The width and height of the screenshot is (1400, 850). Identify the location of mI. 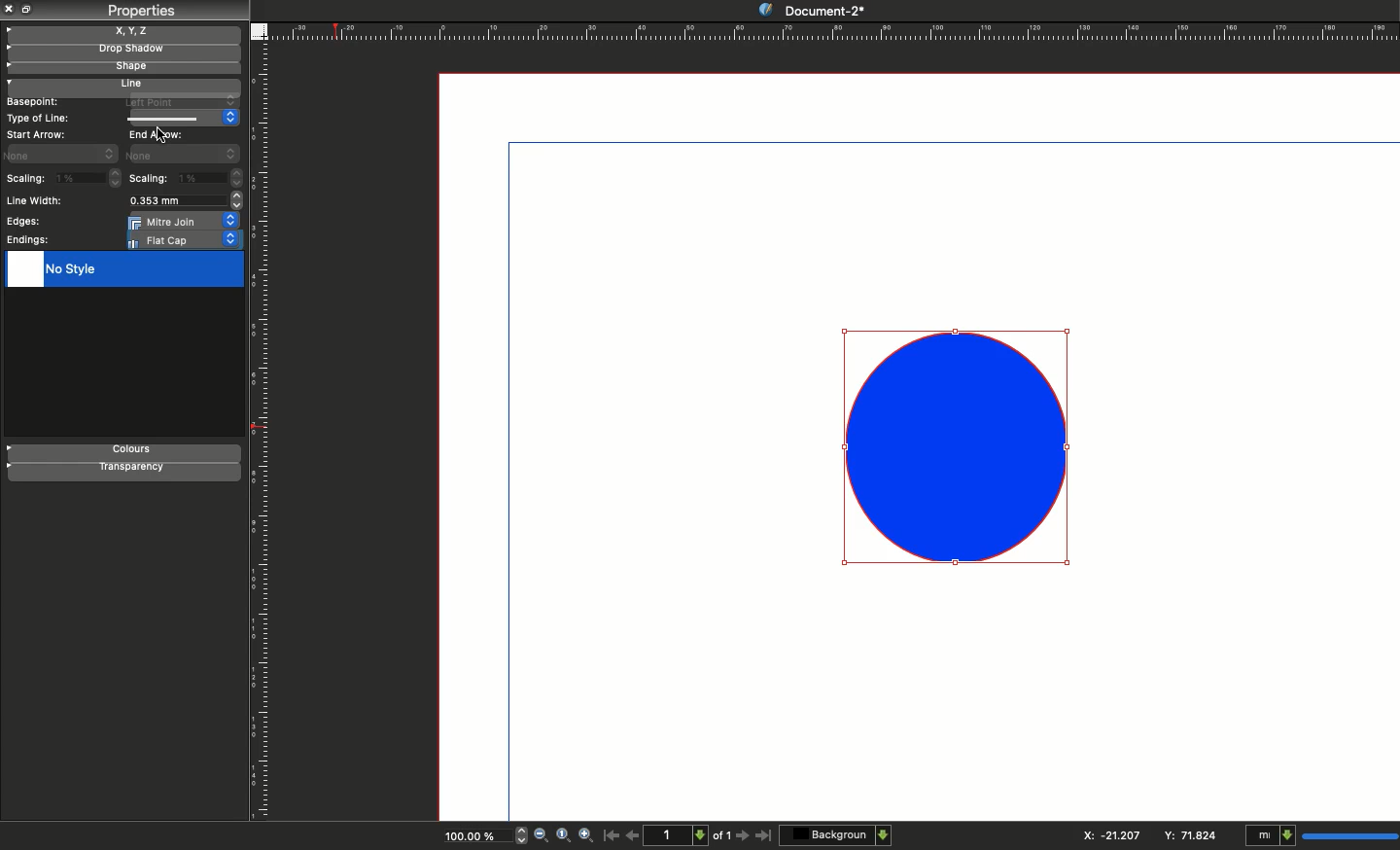
(1318, 836).